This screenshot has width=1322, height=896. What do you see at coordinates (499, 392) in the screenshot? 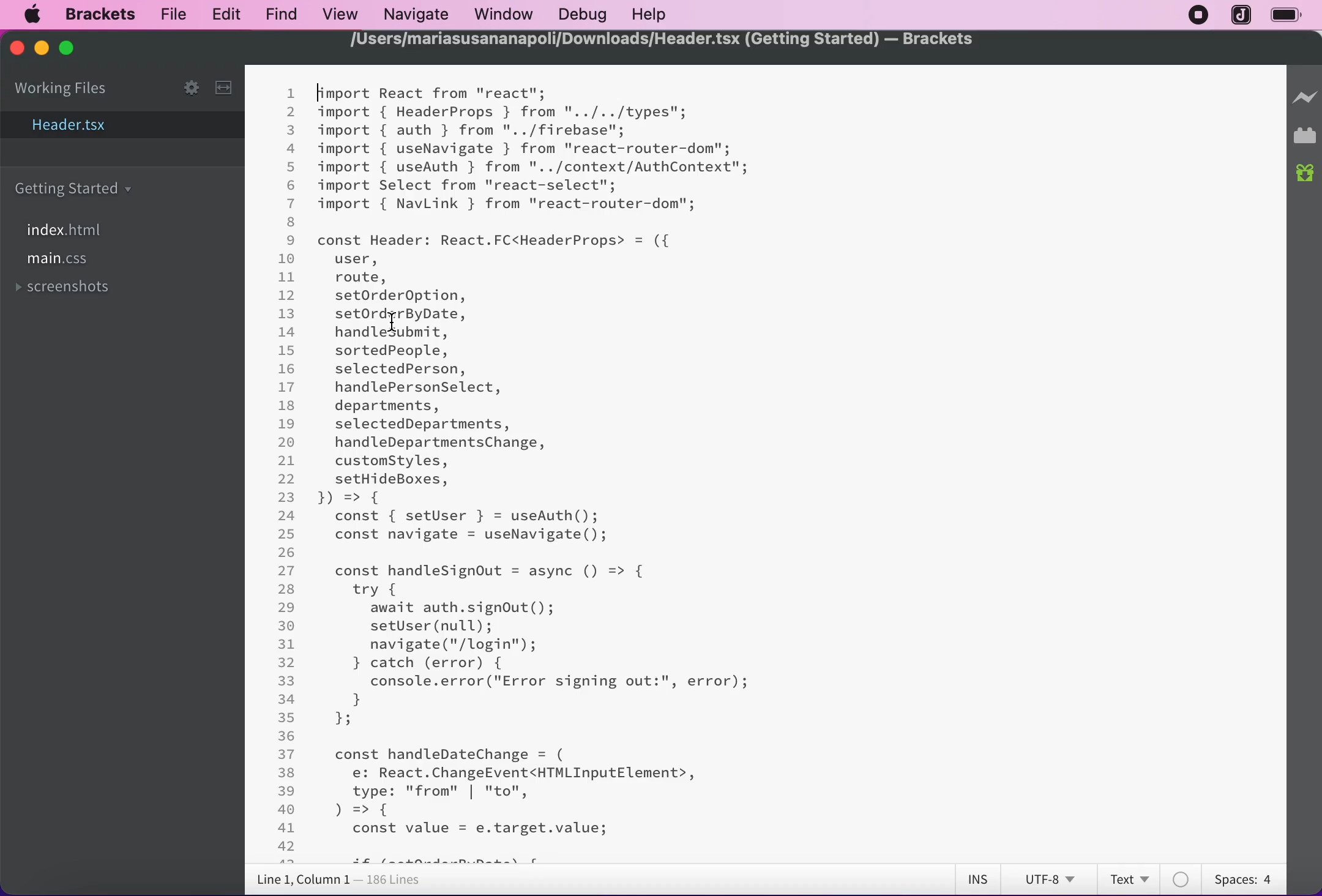
I see `const Header: React.FC<HeaderProps> = ({user,route,setOrderOption, setOrderByDate,handlesubmit,sortedPeople,selectedPerson,handlePersonSelect,departments,selectedDepartments,handleDepartmentsChange,customStyles,setHideBoxes,H =>const { setUser } = useAuth();const navigate = useNavigate();` at bounding box center [499, 392].